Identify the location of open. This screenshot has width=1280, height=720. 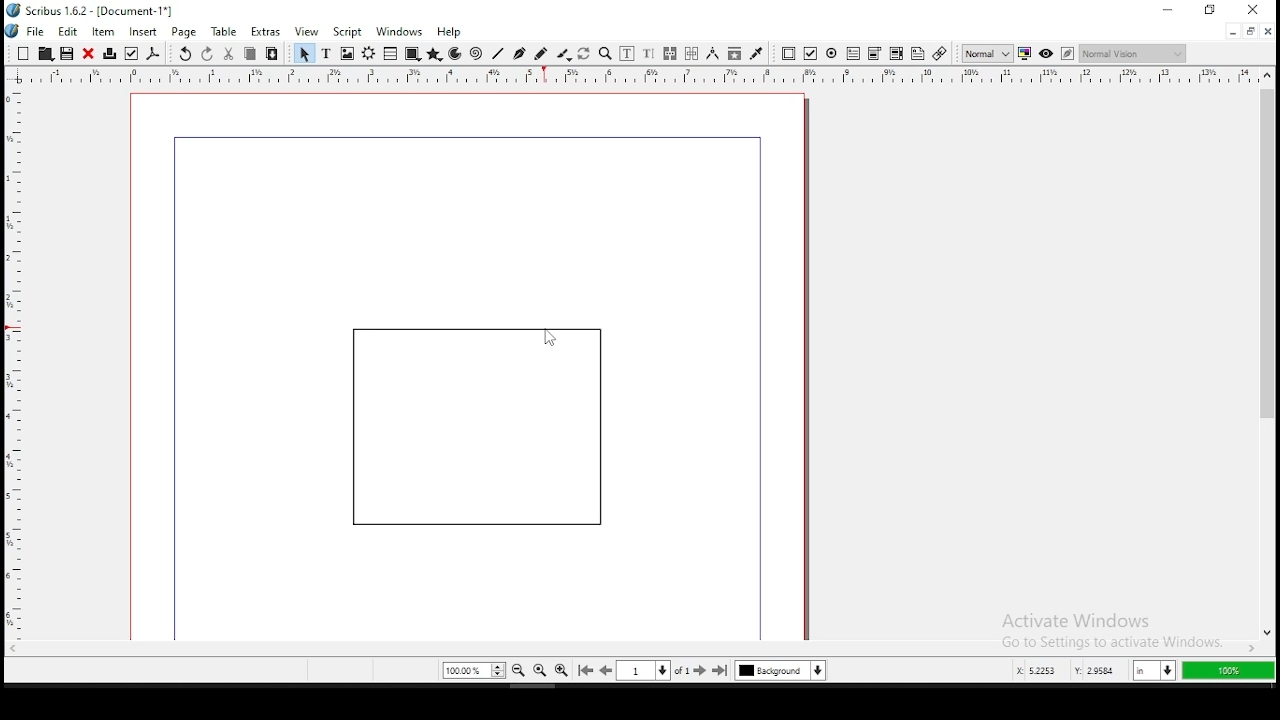
(44, 53).